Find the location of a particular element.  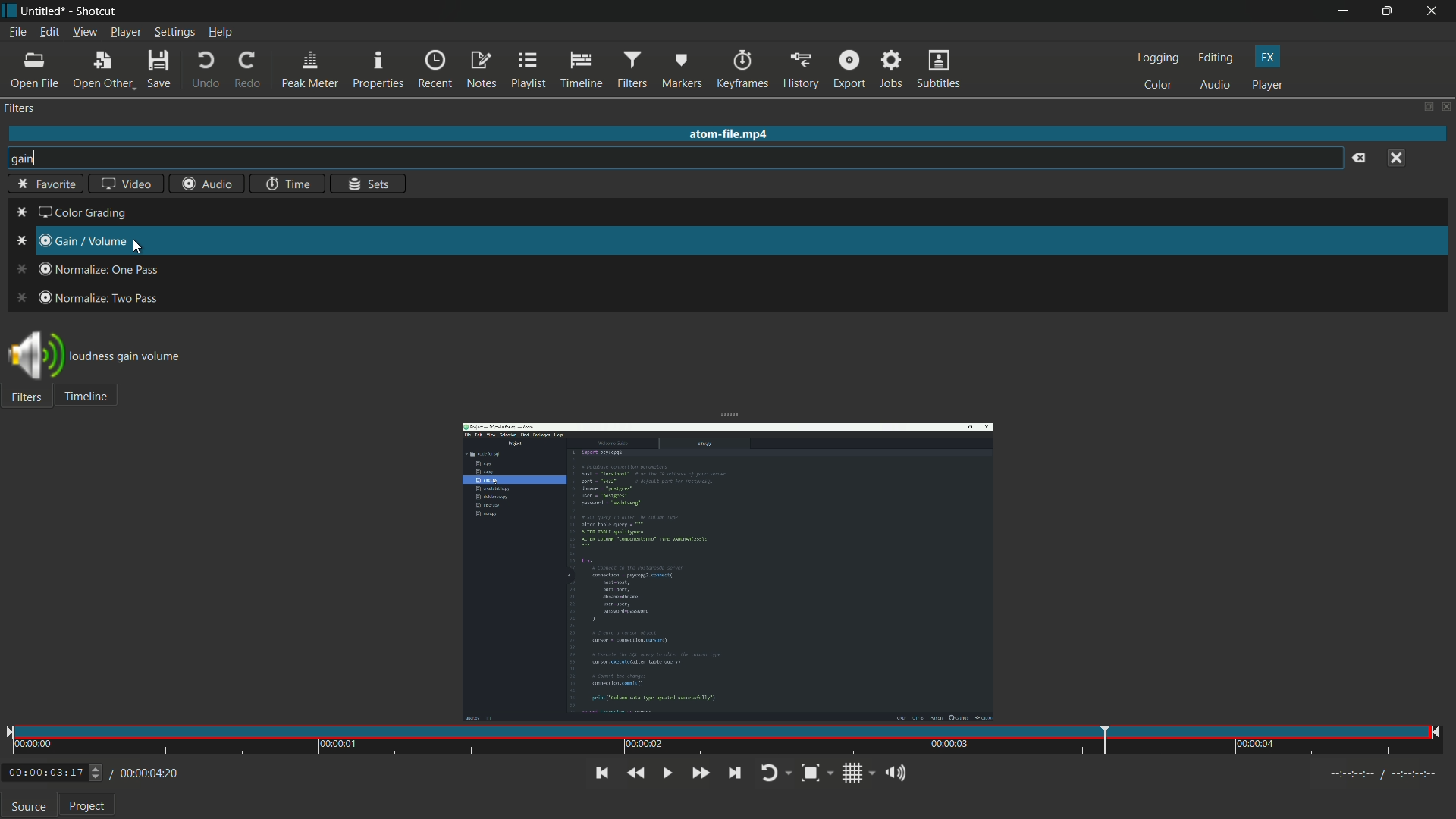

show volume control is located at coordinates (900, 775).